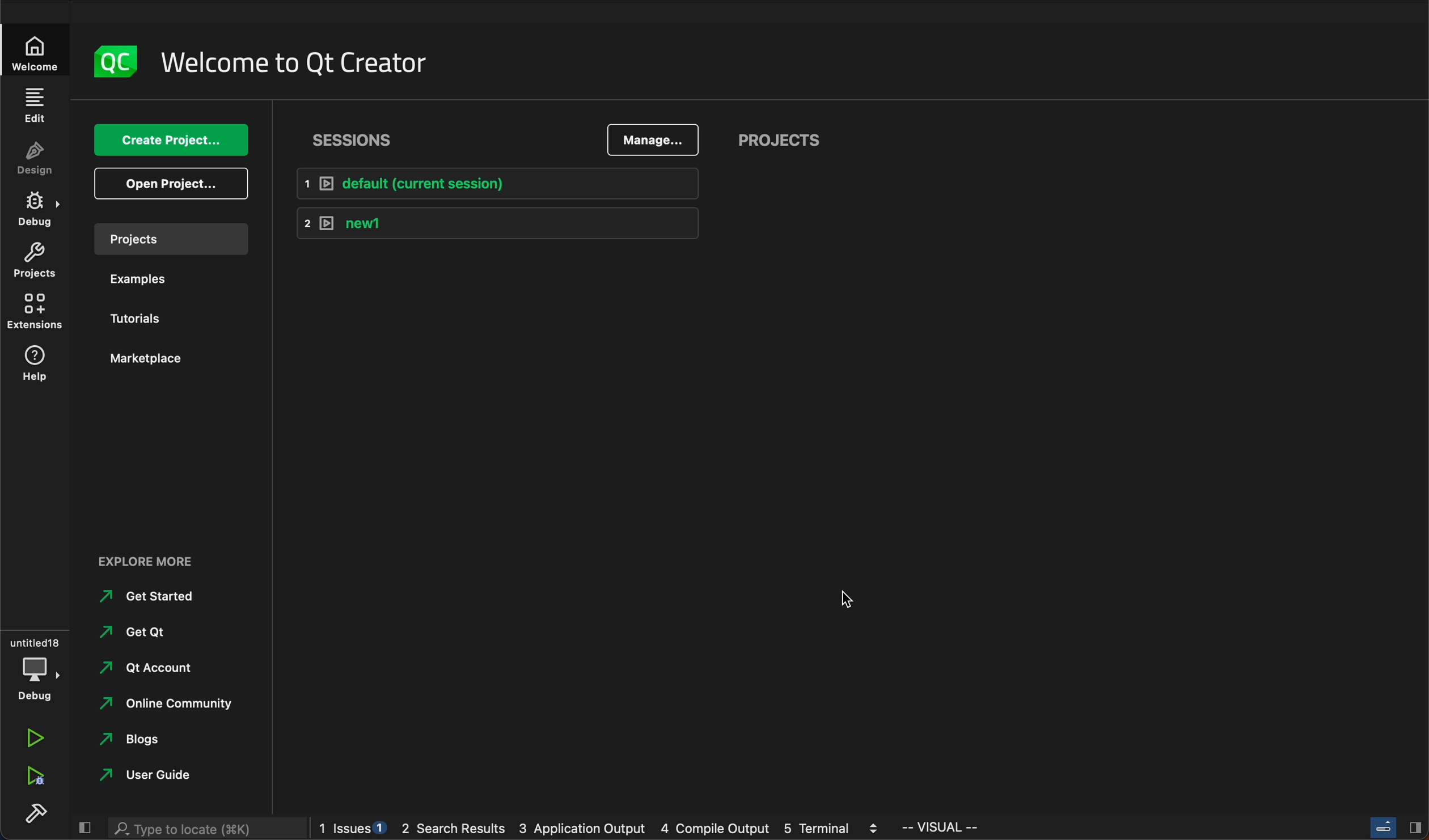 The width and height of the screenshot is (1429, 840). I want to click on explore, so click(155, 560).